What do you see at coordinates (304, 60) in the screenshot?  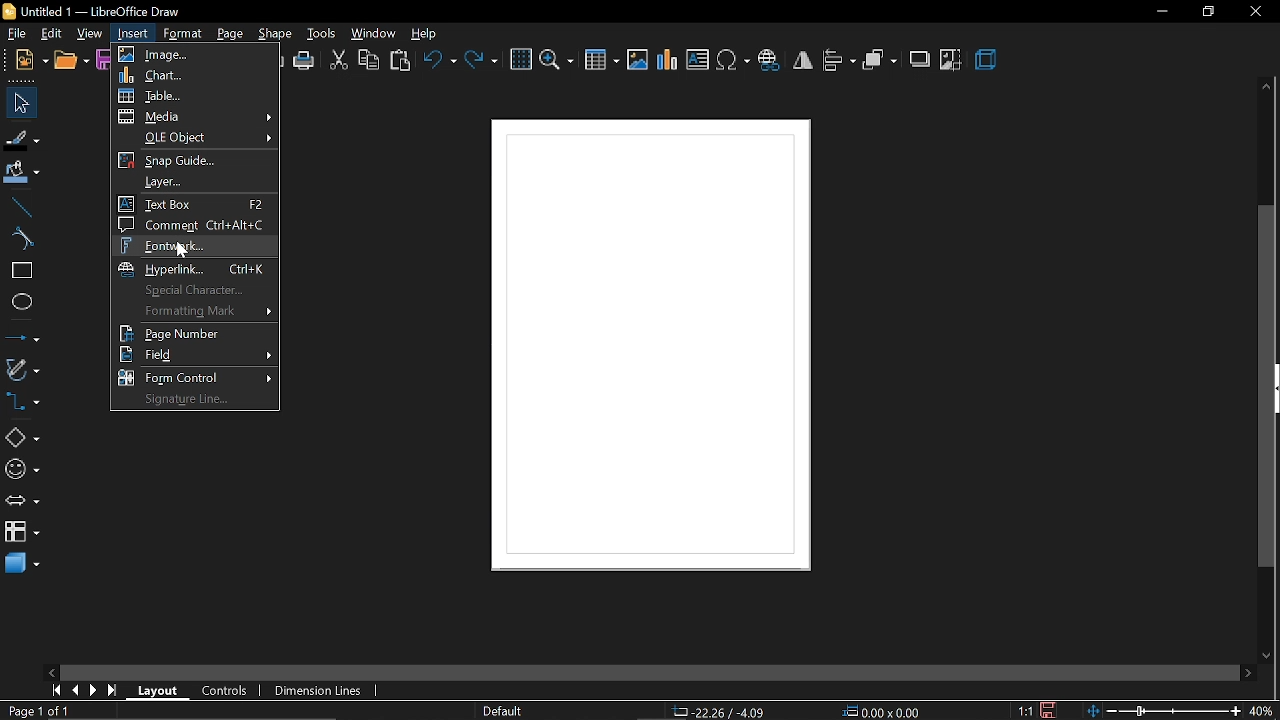 I see `print` at bounding box center [304, 60].